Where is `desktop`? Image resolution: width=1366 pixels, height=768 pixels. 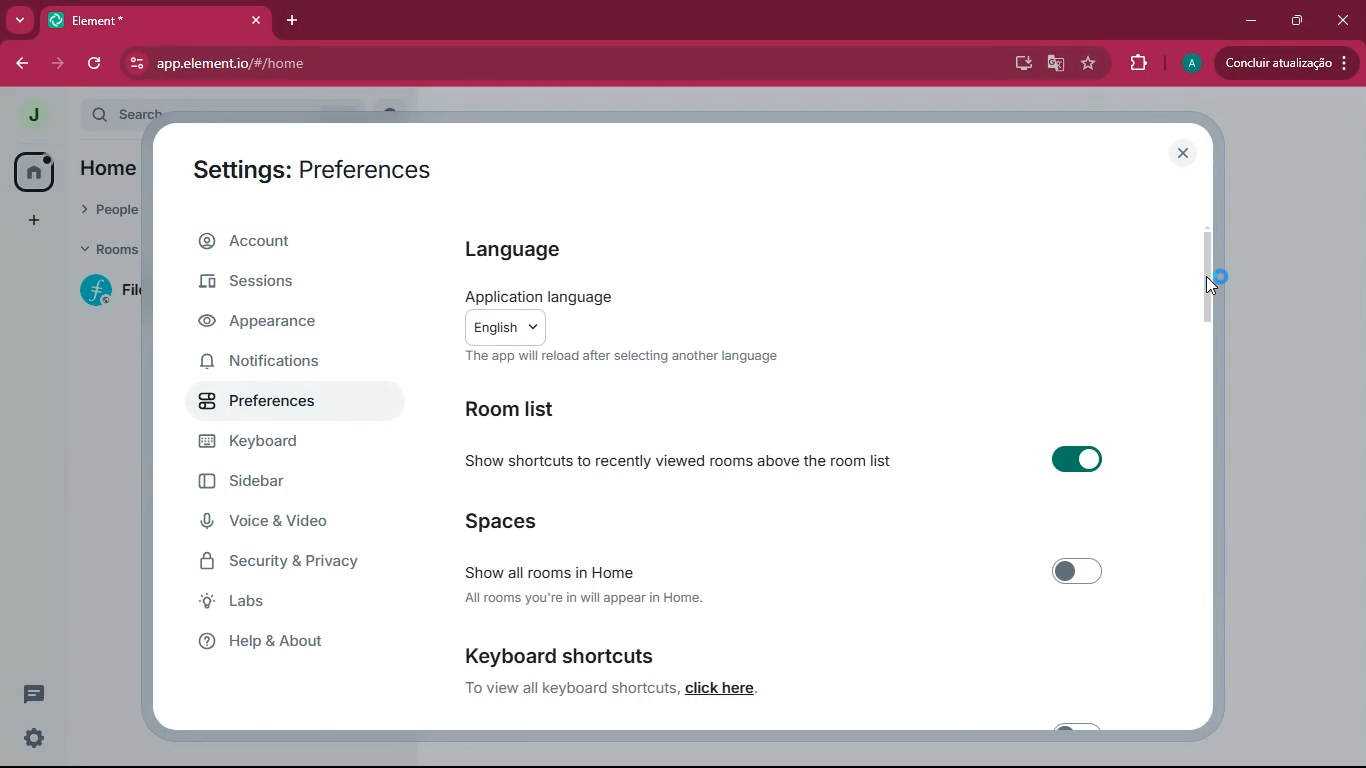 desktop is located at coordinates (1018, 65).